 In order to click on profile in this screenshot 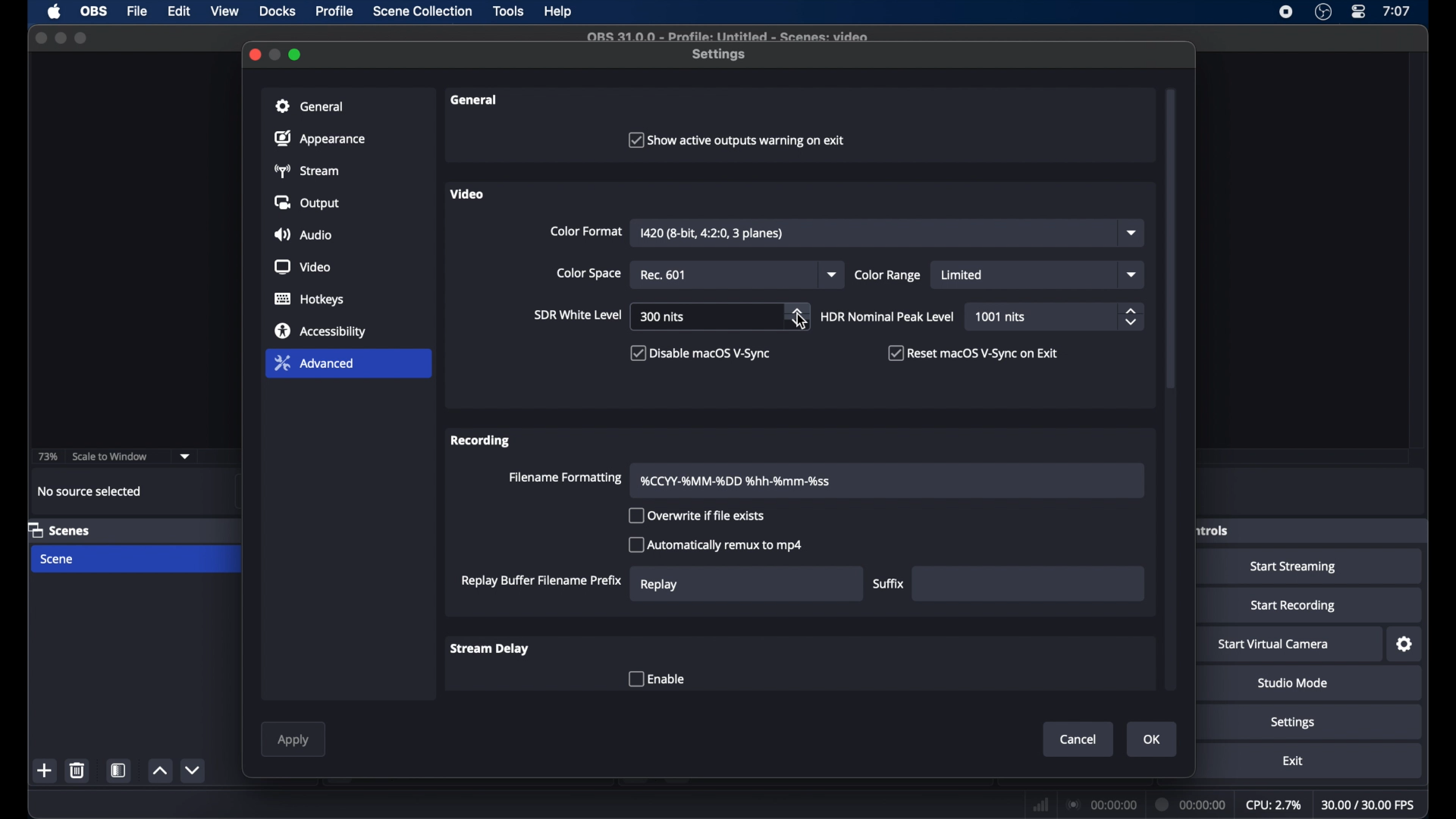, I will do `click(337, 12)`.